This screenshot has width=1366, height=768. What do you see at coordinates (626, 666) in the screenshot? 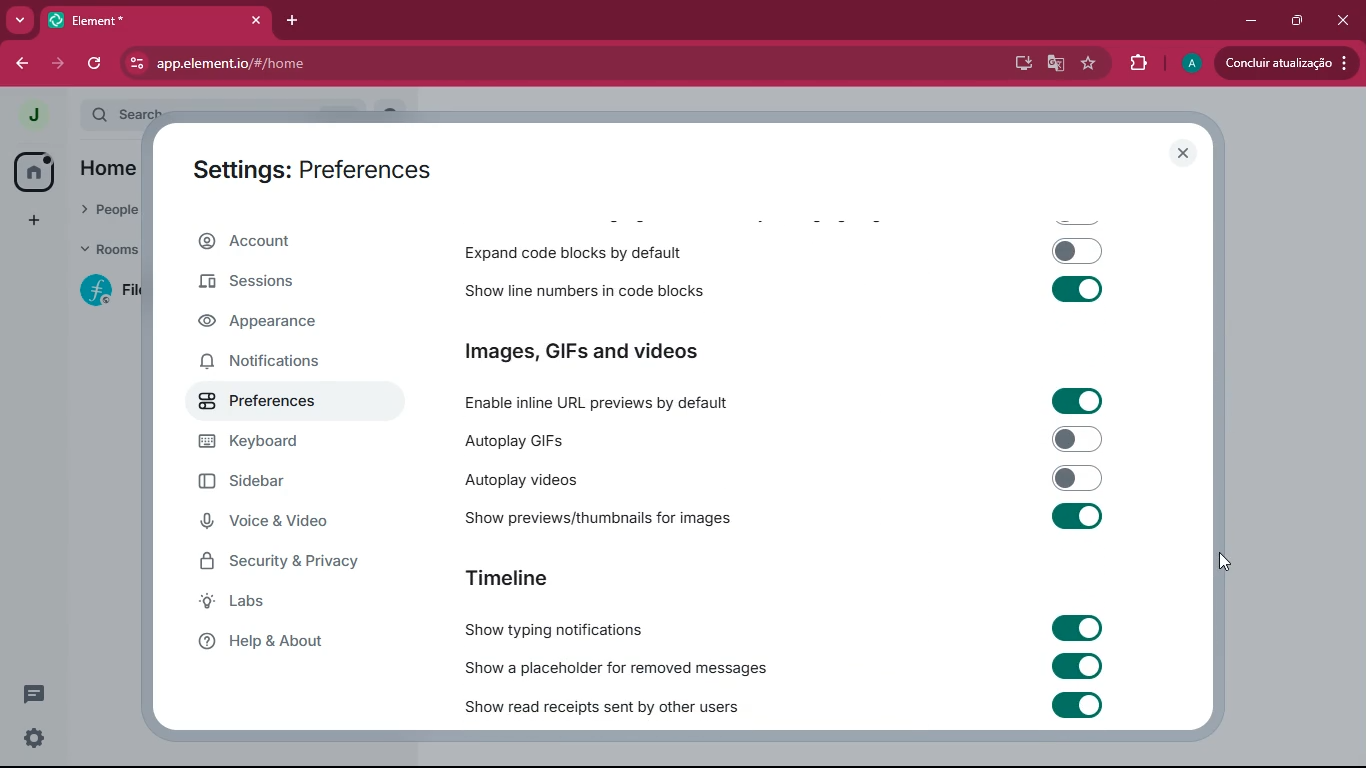
I see `show a placeholder for removed messages` at bounding box center [626, 666].